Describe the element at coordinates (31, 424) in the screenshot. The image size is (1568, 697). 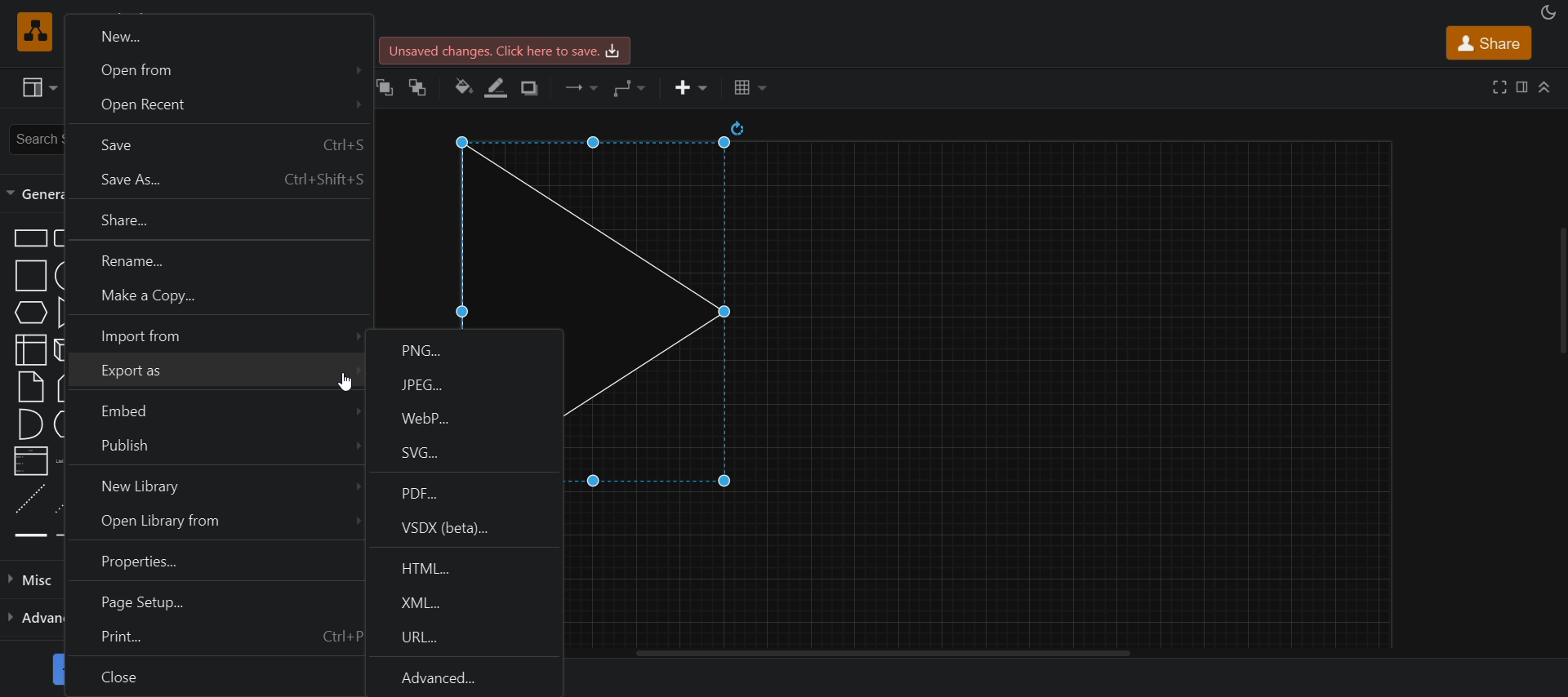
I see `and` at that location.